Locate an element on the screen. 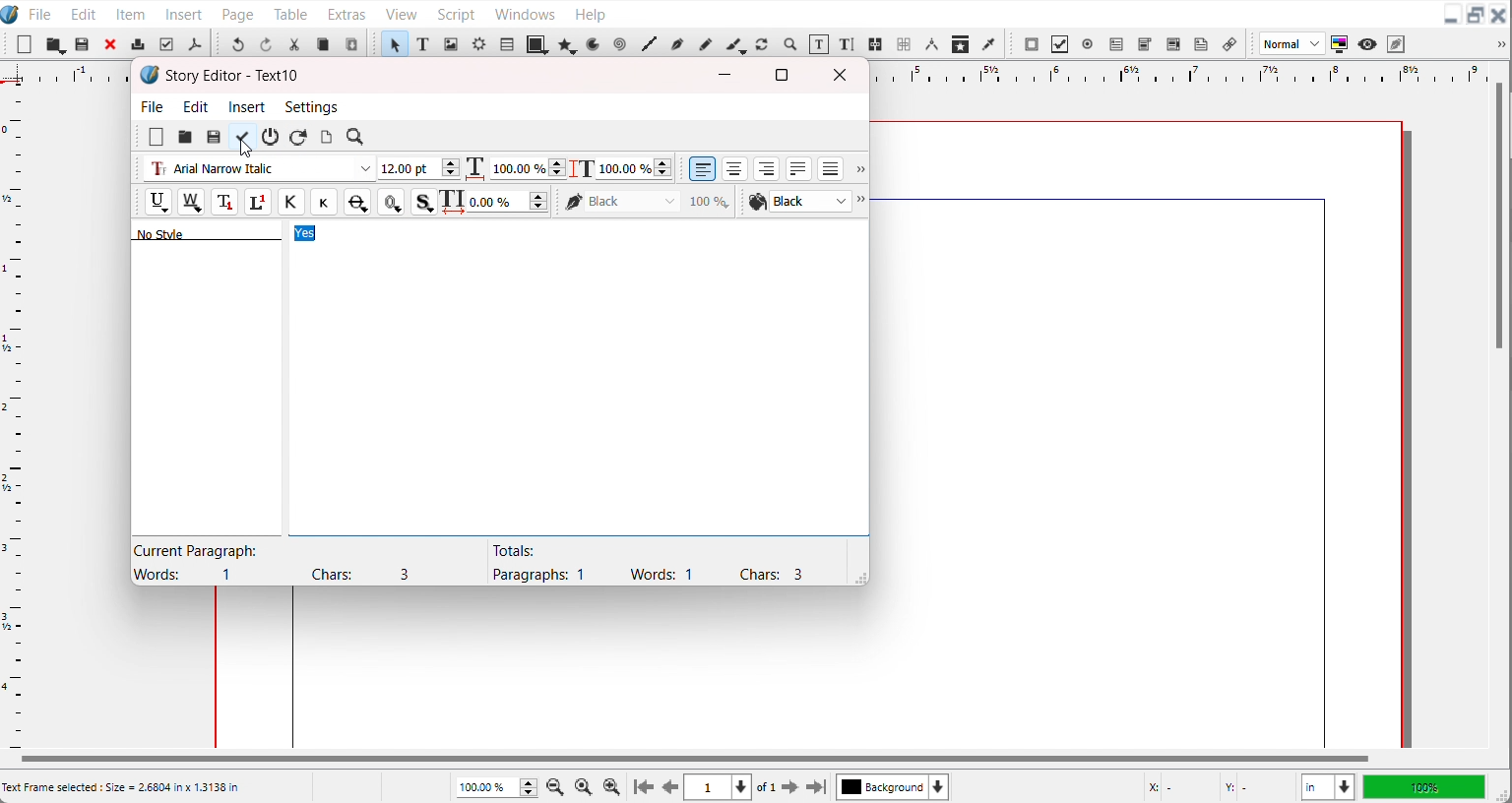  Edit Text is located at coordinates (849, 45).